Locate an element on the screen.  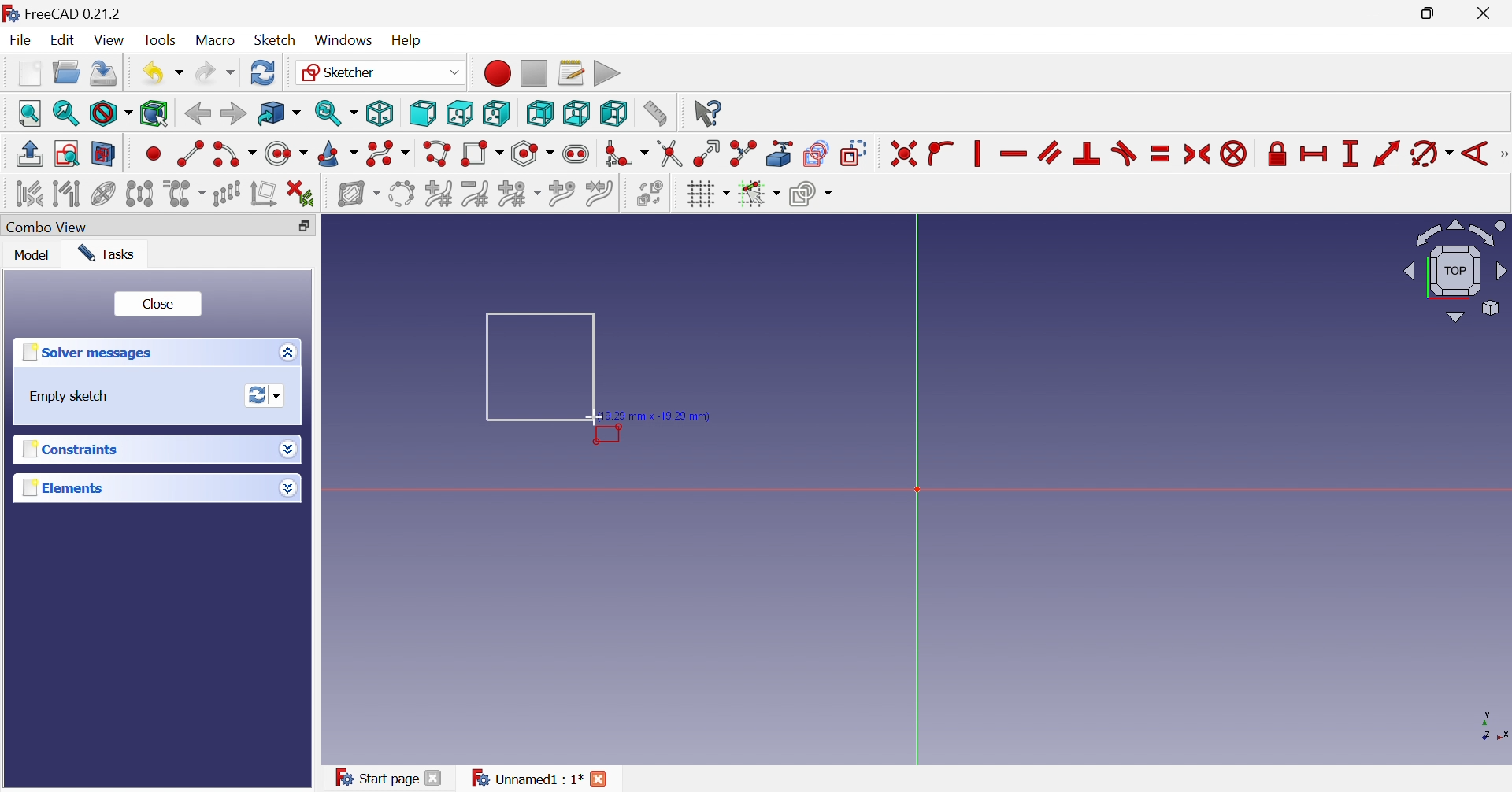
Create polyline is located at coordinates (436, 154).